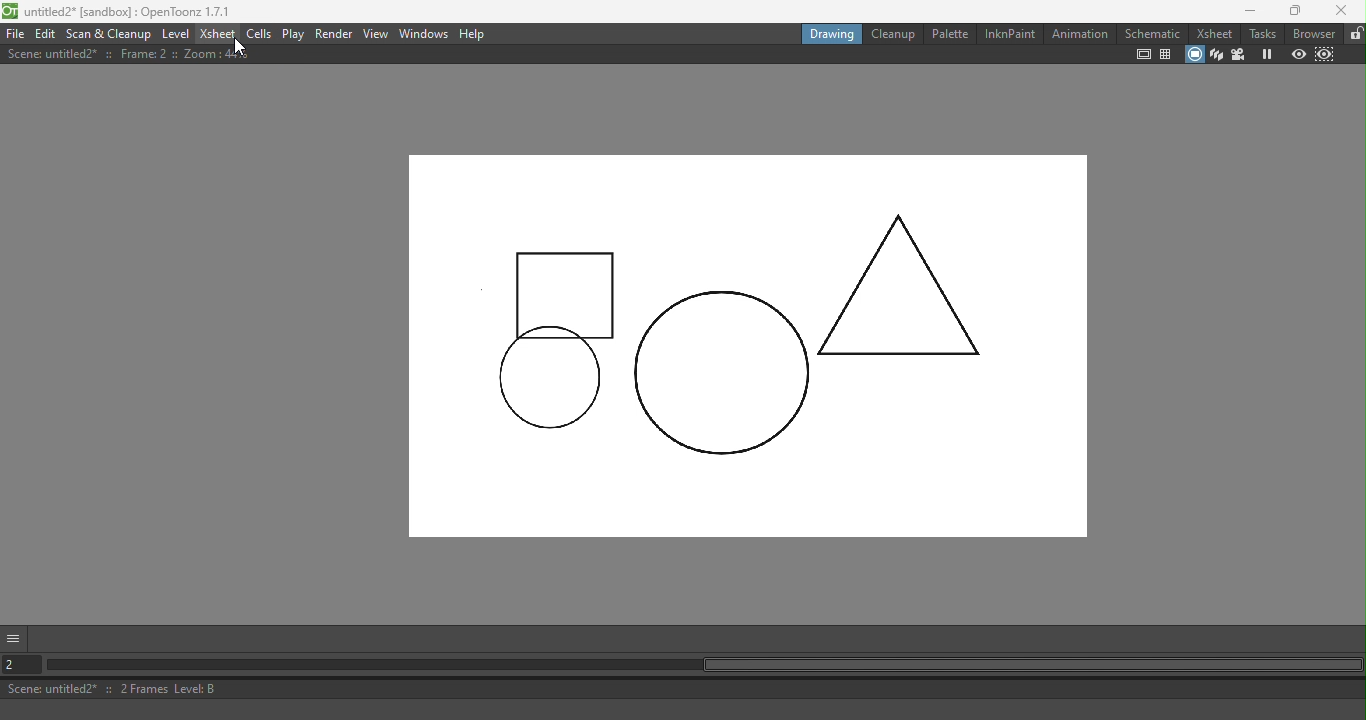 This screenshot has width=1366, height=720. I want to click on File, so click(15, 33).